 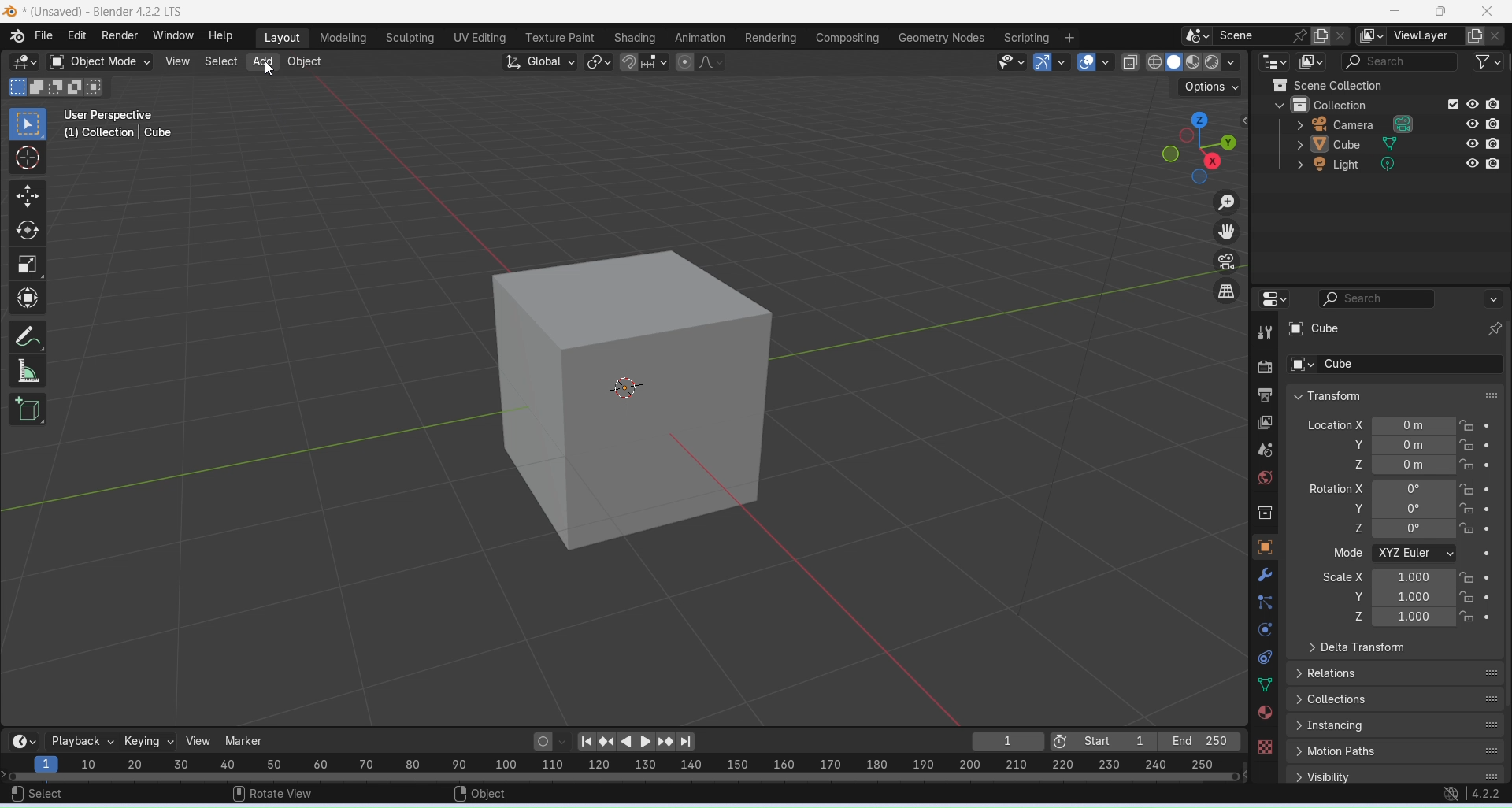 What do you see at coordinates (1229, 232) in the screenshot?
I see `Move the view` at bounding box center [1229, 232].